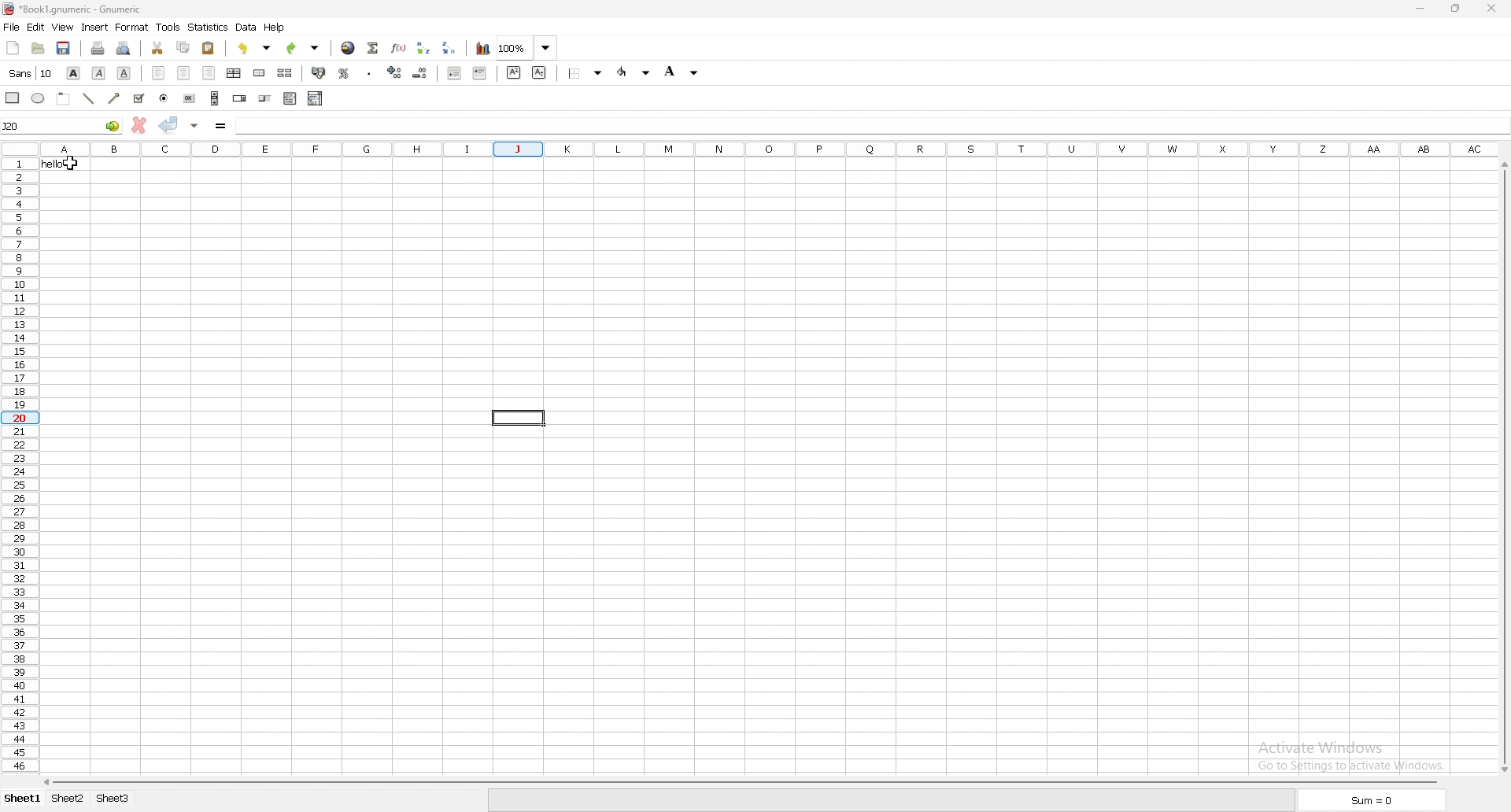 Image resolution: width=1511 pixels, height=812 pixels. I want to click on scroll bar, so click(214, 98).